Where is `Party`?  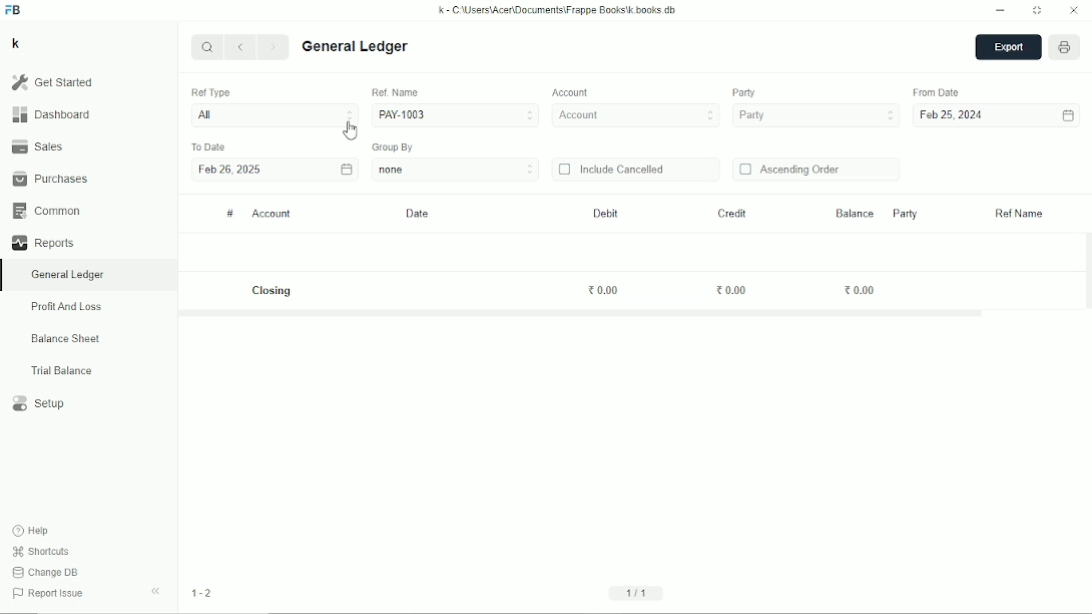
Party is located at coordinates (744, 93).